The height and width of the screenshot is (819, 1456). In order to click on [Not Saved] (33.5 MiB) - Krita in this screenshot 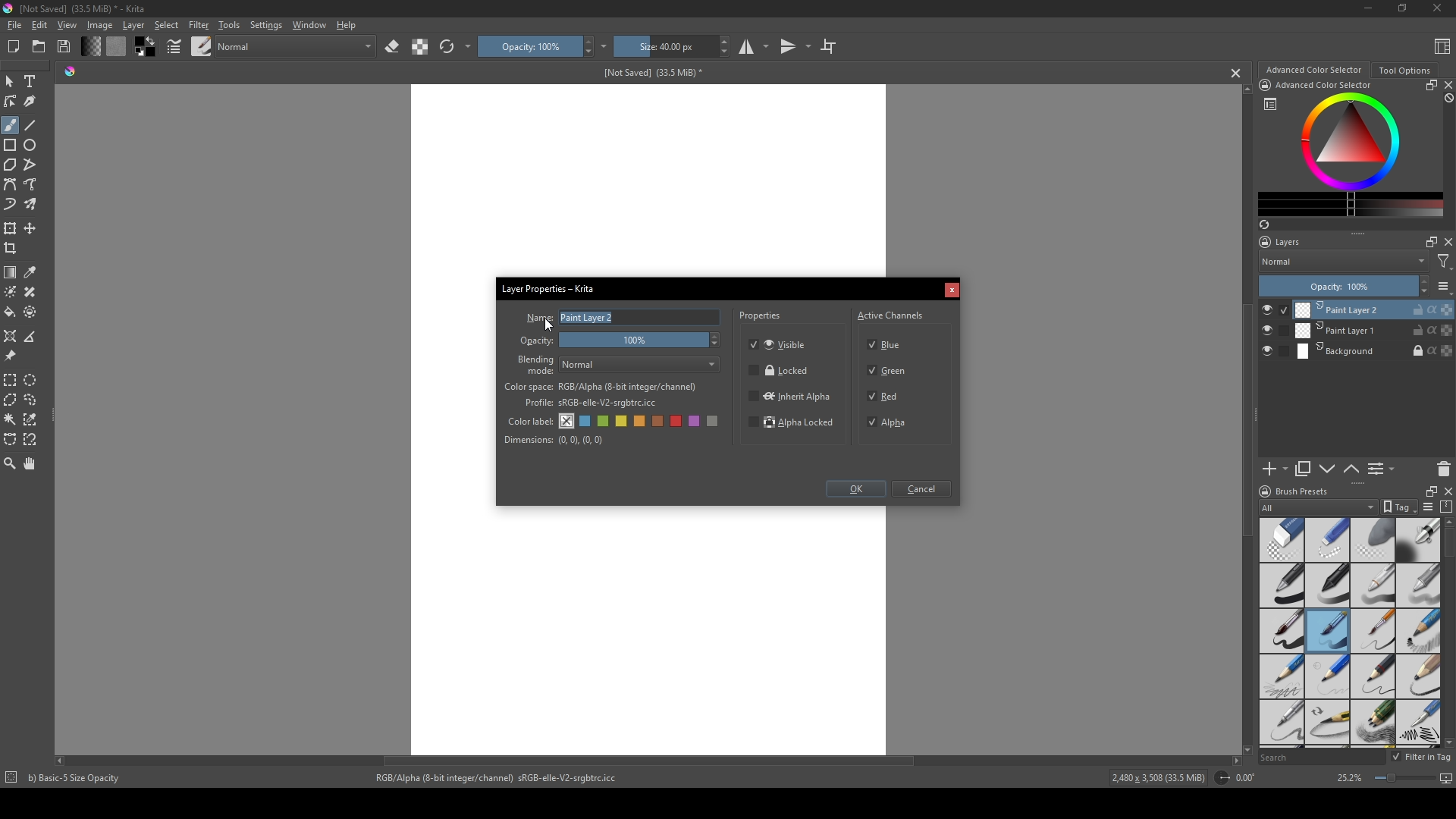, I will do `click(83, 9)`.